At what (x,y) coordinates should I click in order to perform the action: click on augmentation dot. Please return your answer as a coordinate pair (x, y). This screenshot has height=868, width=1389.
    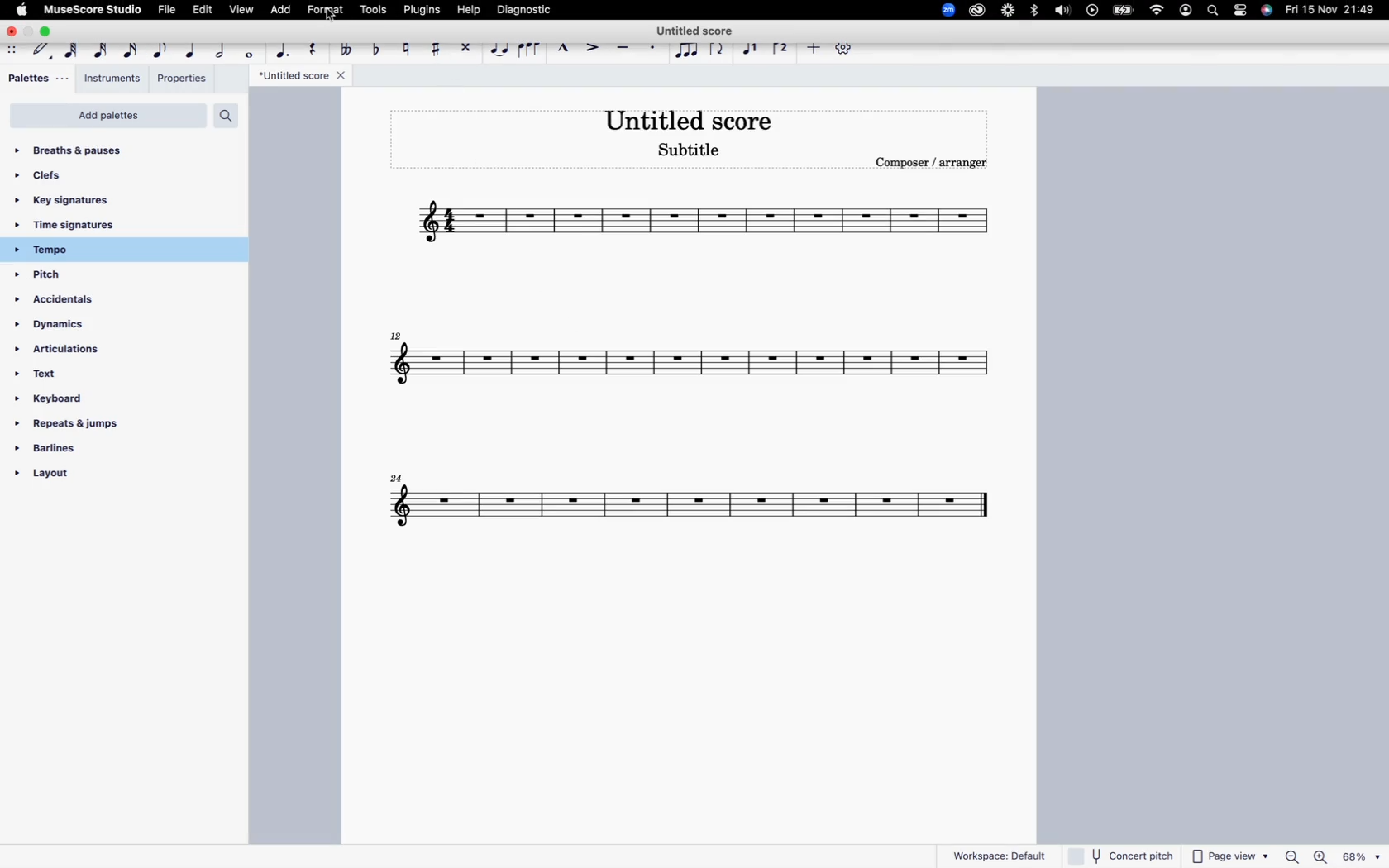
    Looking at the image, I should click on (285, 49).